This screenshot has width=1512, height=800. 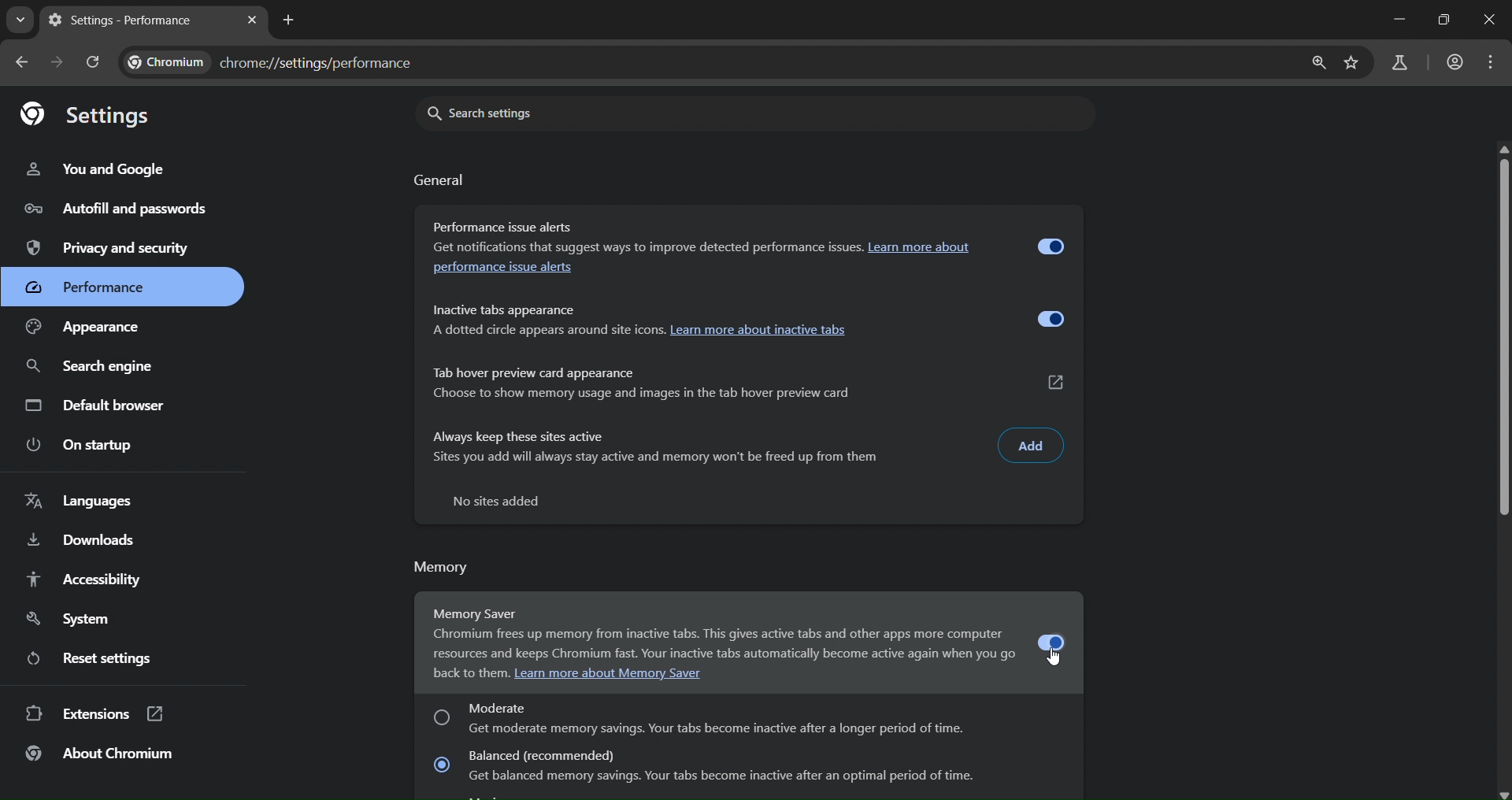 I want to click on sites you add will always stay and memory won't be freed up from them, so click(x=659, y=457).